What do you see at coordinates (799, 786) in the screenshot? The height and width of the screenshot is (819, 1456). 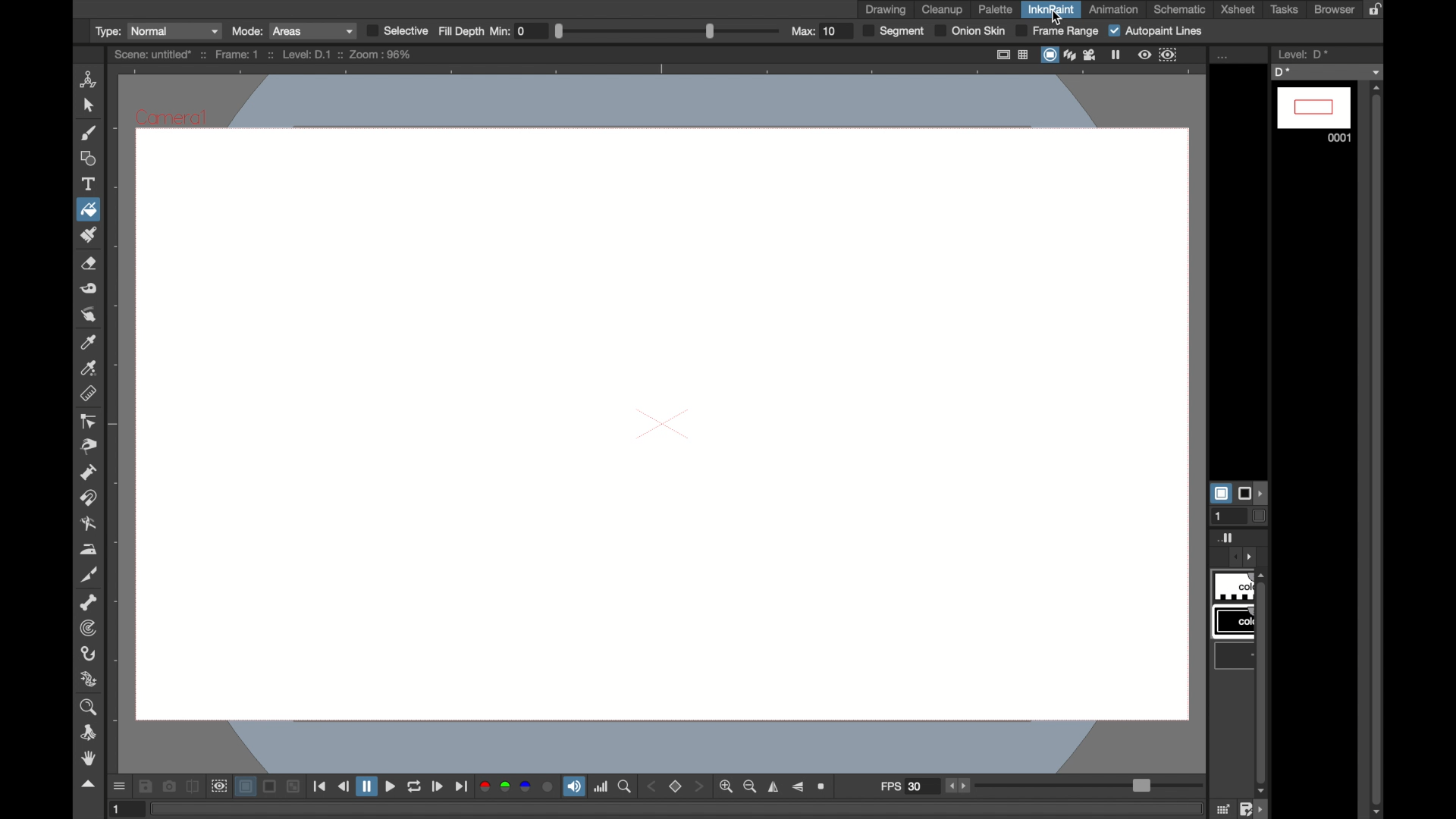 I see `flip vertically` at bounding box center [799, 786].